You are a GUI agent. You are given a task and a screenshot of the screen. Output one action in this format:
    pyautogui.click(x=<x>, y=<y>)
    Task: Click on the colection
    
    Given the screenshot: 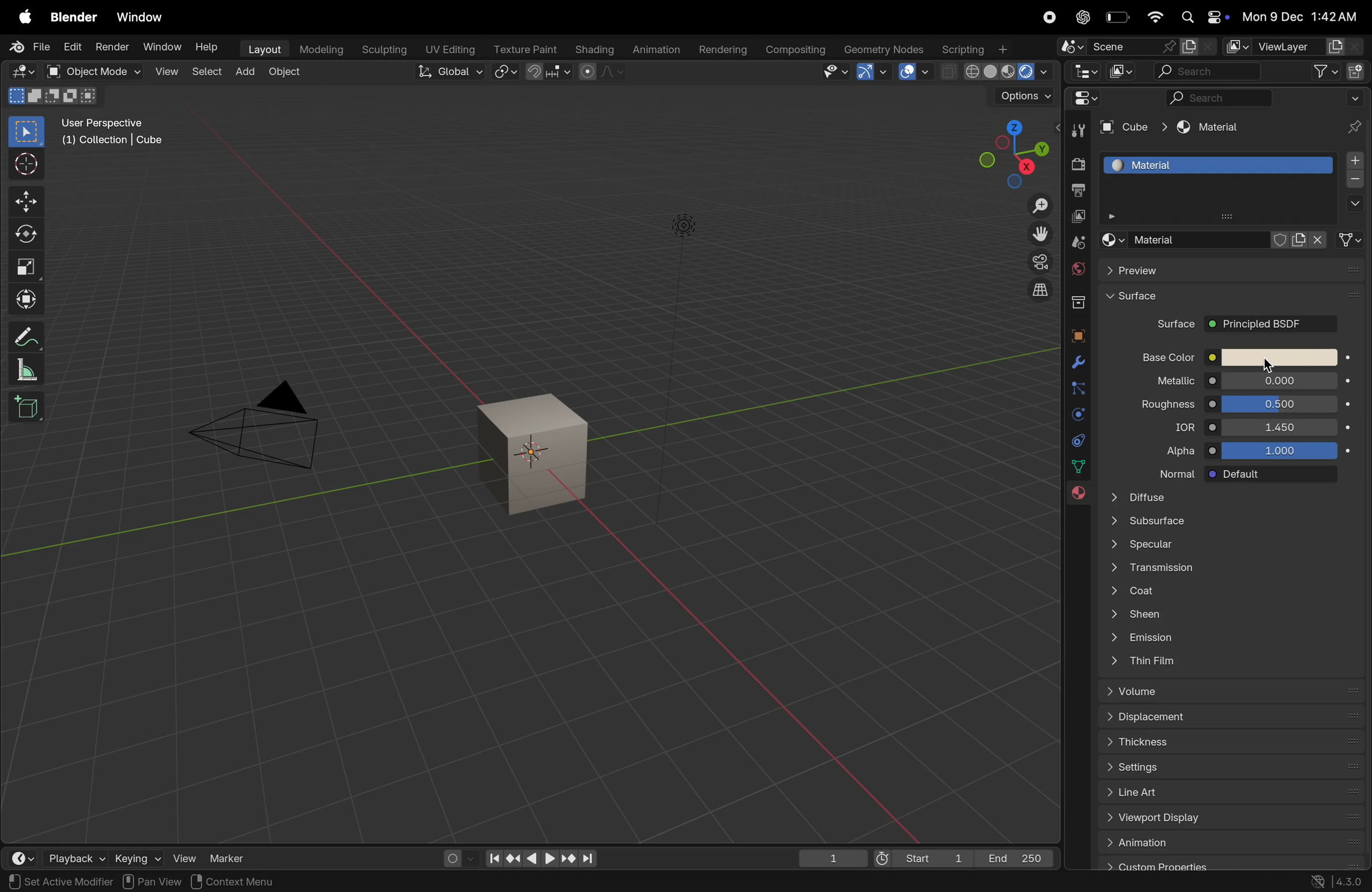 What is the action you would take?
    pyautogui.click(x=1076, y=298)
    